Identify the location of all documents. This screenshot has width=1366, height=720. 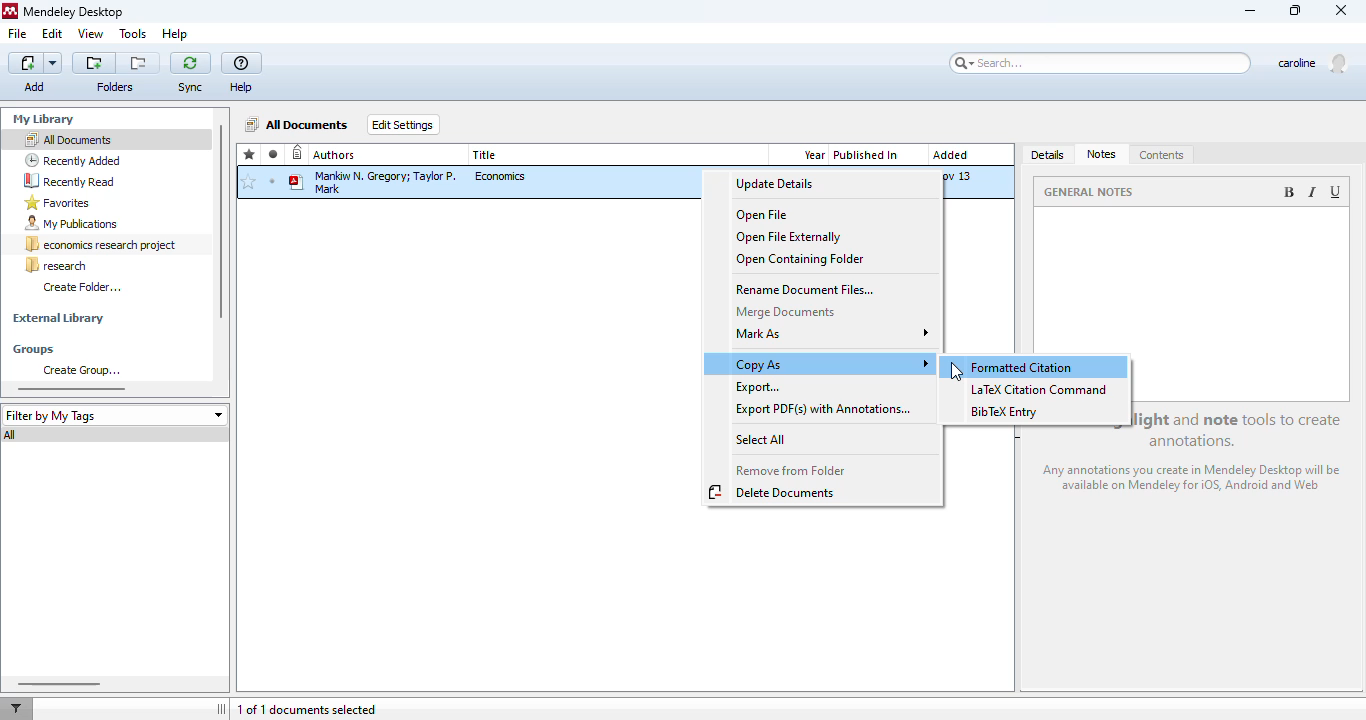
(67, 139).